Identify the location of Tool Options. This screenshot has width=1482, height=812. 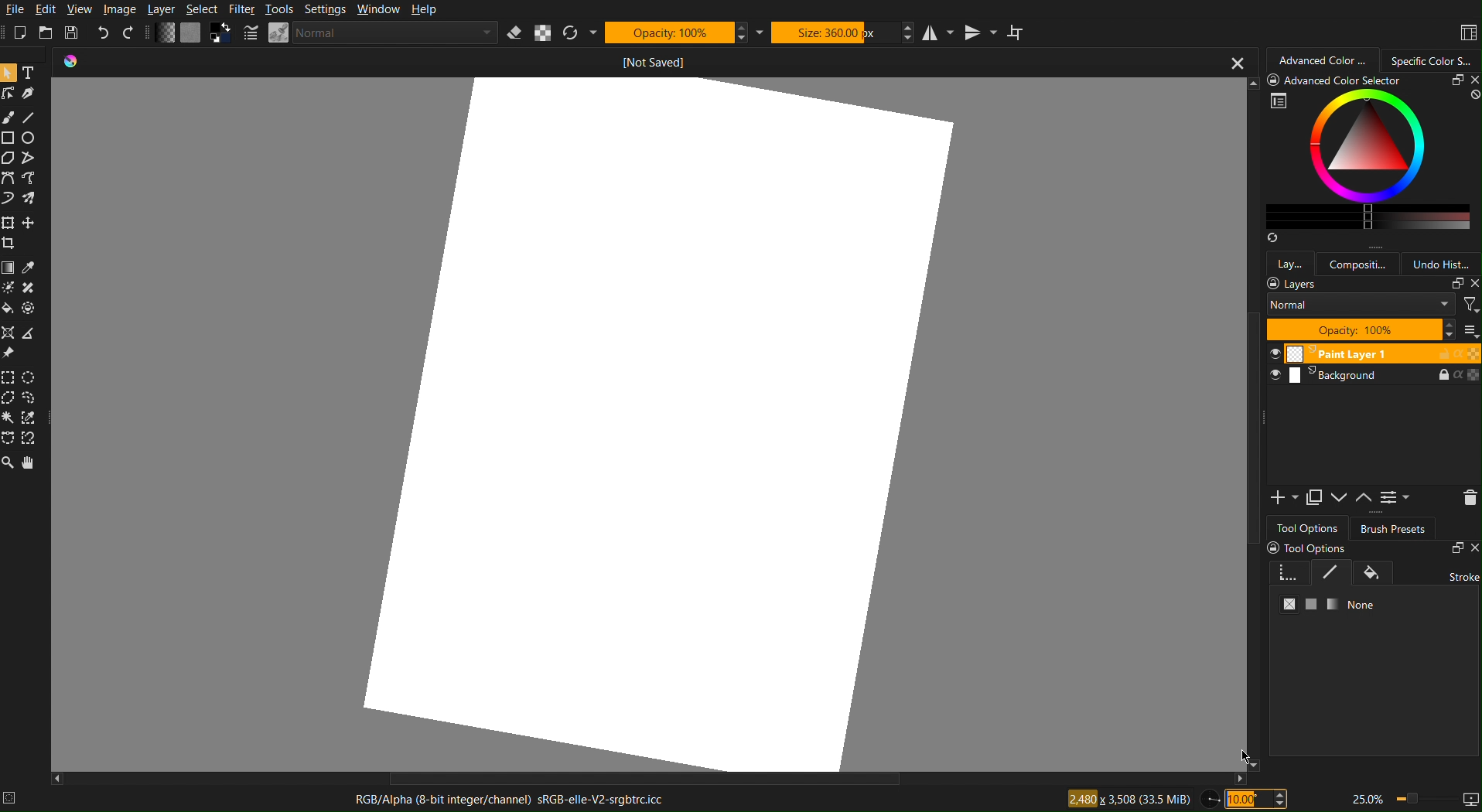
(1307, 527).